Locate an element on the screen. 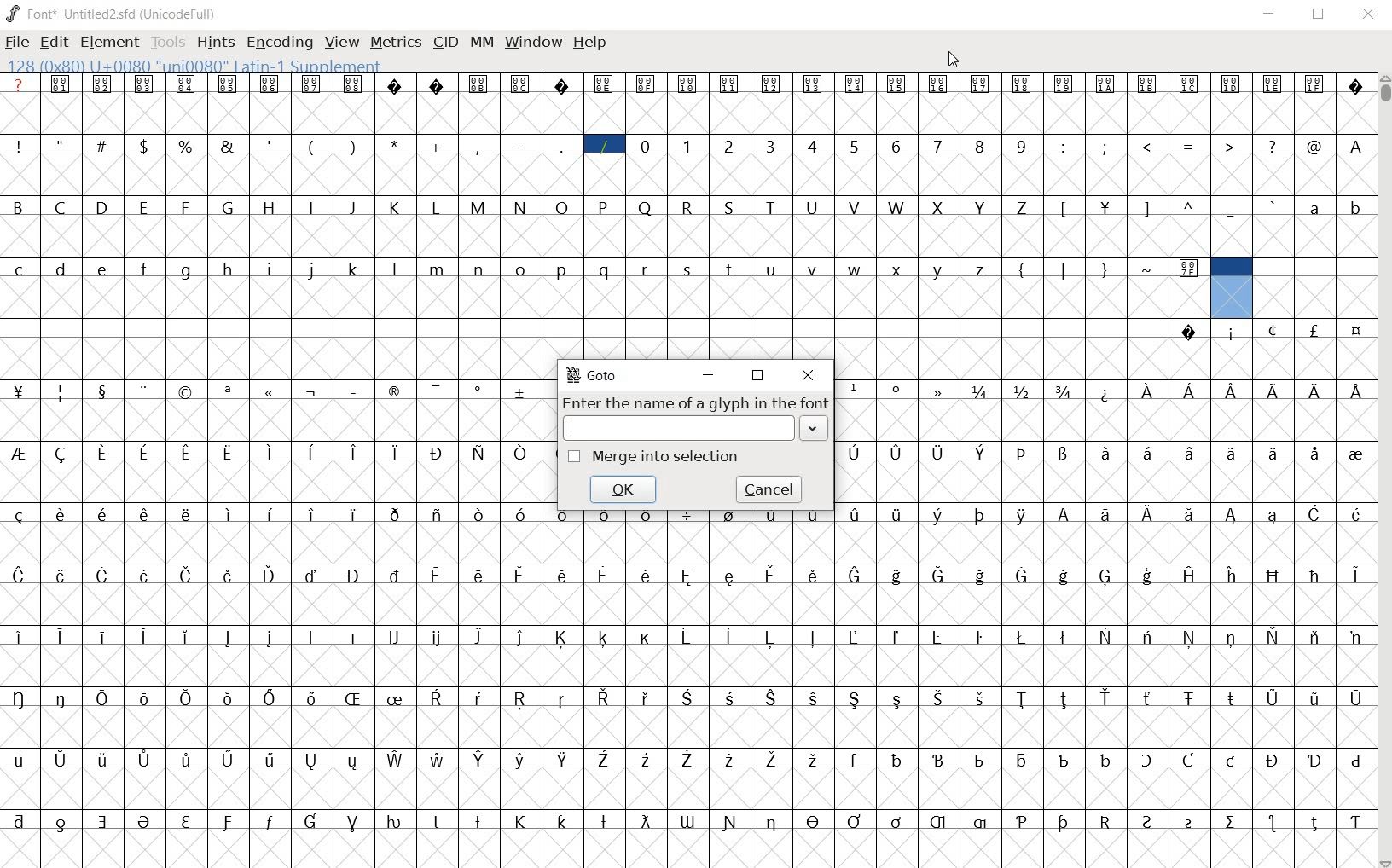 The image size is (1392, 868). Symbol is located at coordinates (520, 636).